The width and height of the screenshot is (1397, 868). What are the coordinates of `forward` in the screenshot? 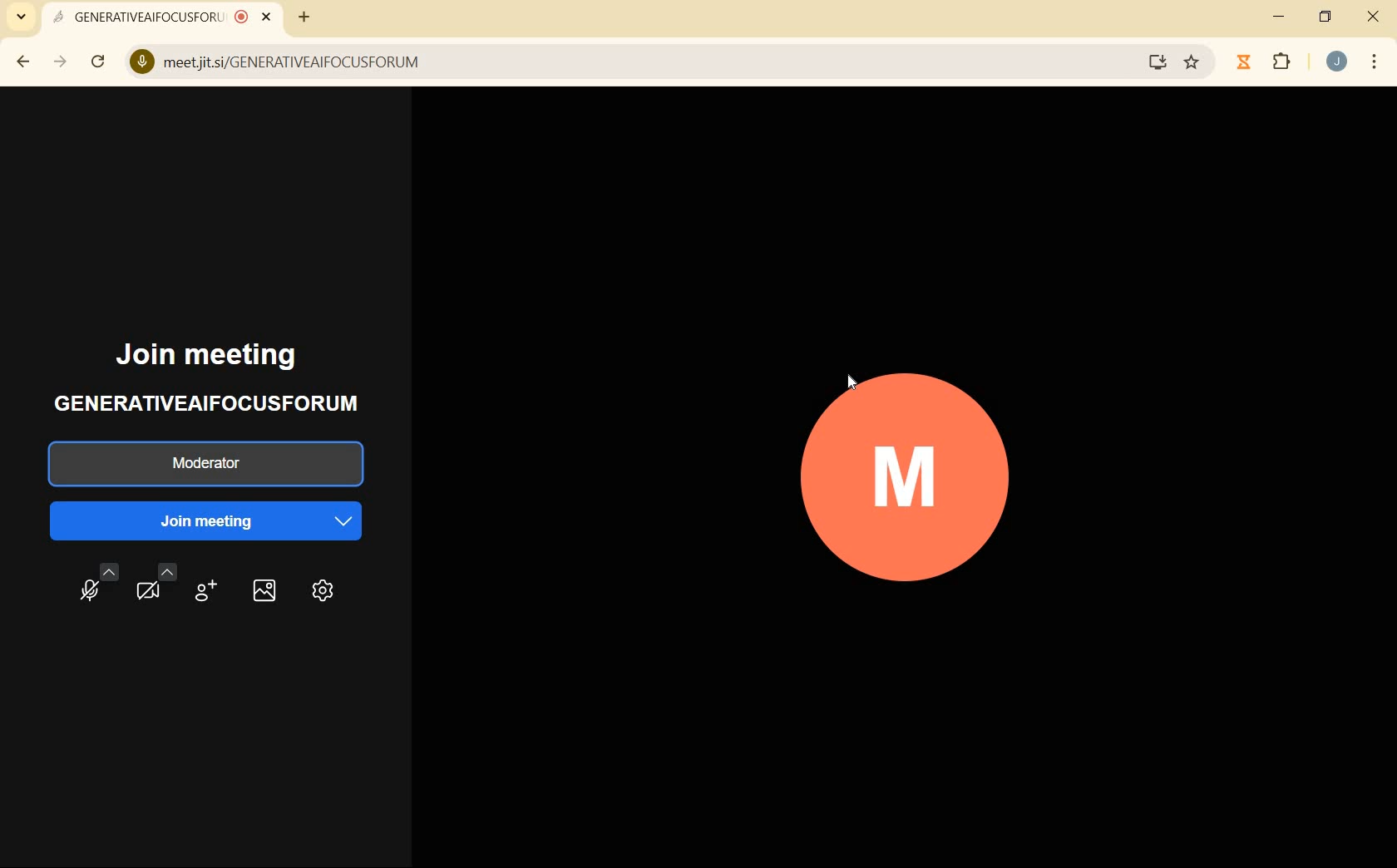 It's located at (57, 62).